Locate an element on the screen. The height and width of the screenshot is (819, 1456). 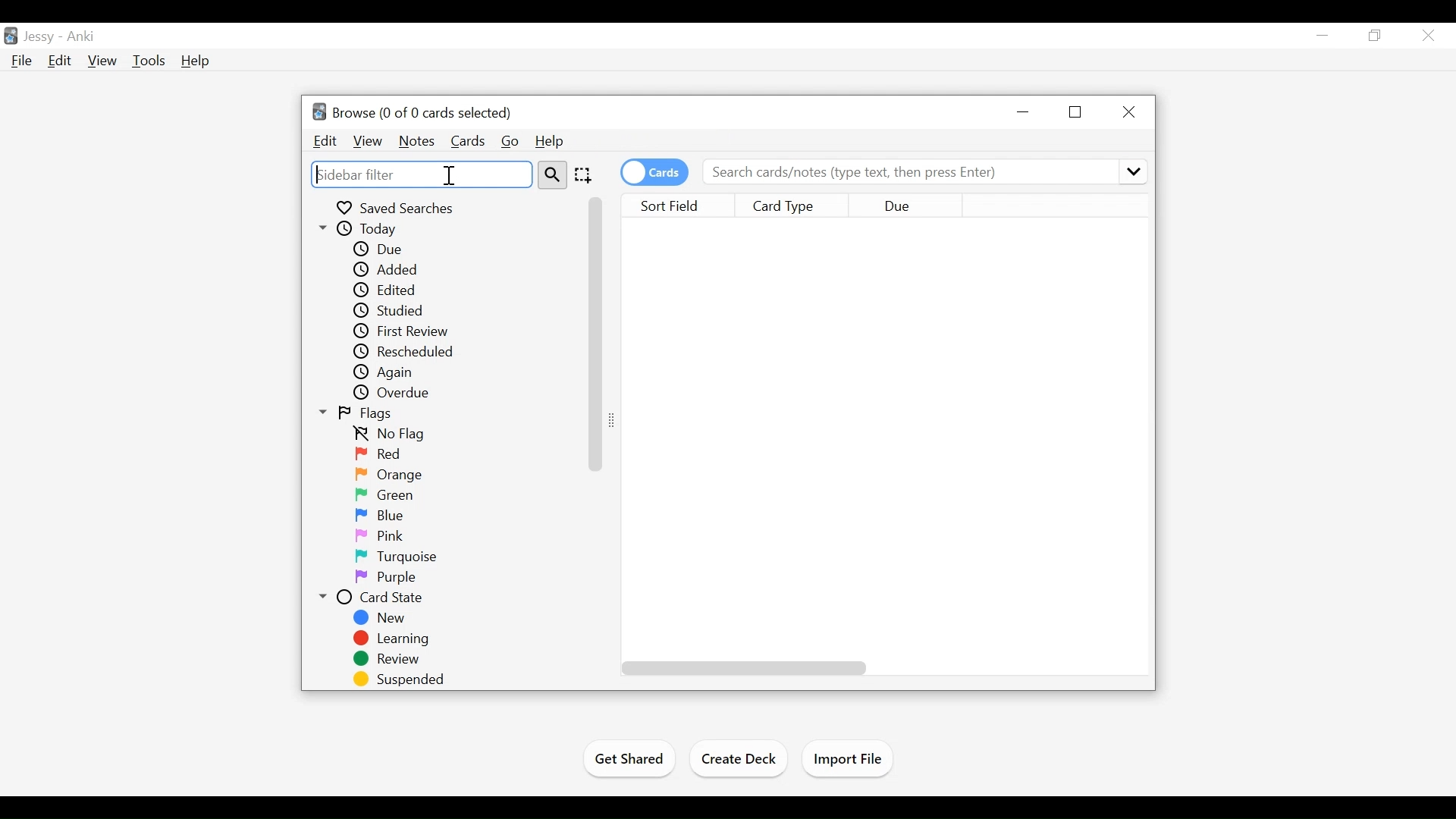
View is located at coordinates (102, 60).